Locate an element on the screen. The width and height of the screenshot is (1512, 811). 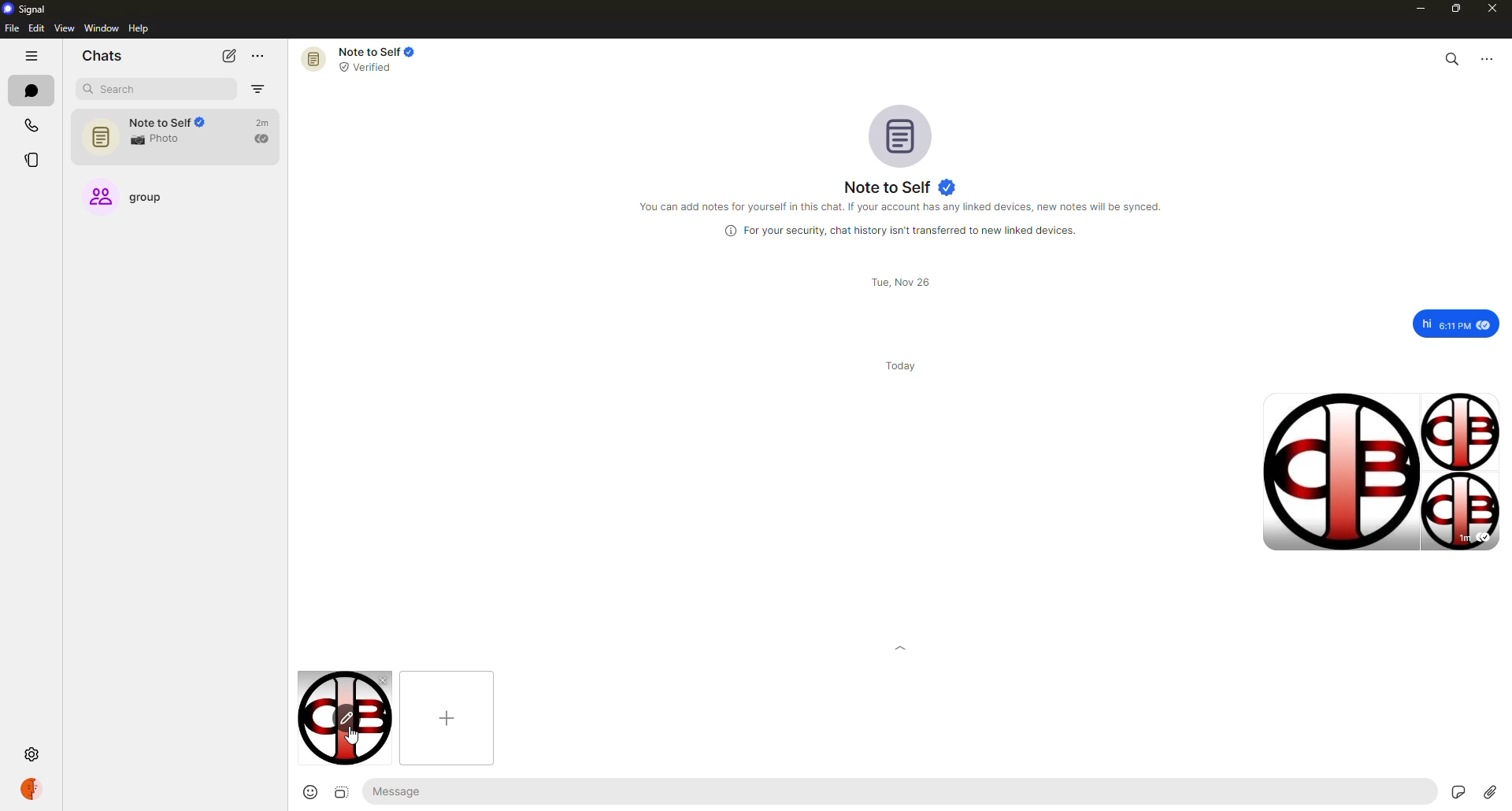
cursor on edit is located at coordinates (346, 720).